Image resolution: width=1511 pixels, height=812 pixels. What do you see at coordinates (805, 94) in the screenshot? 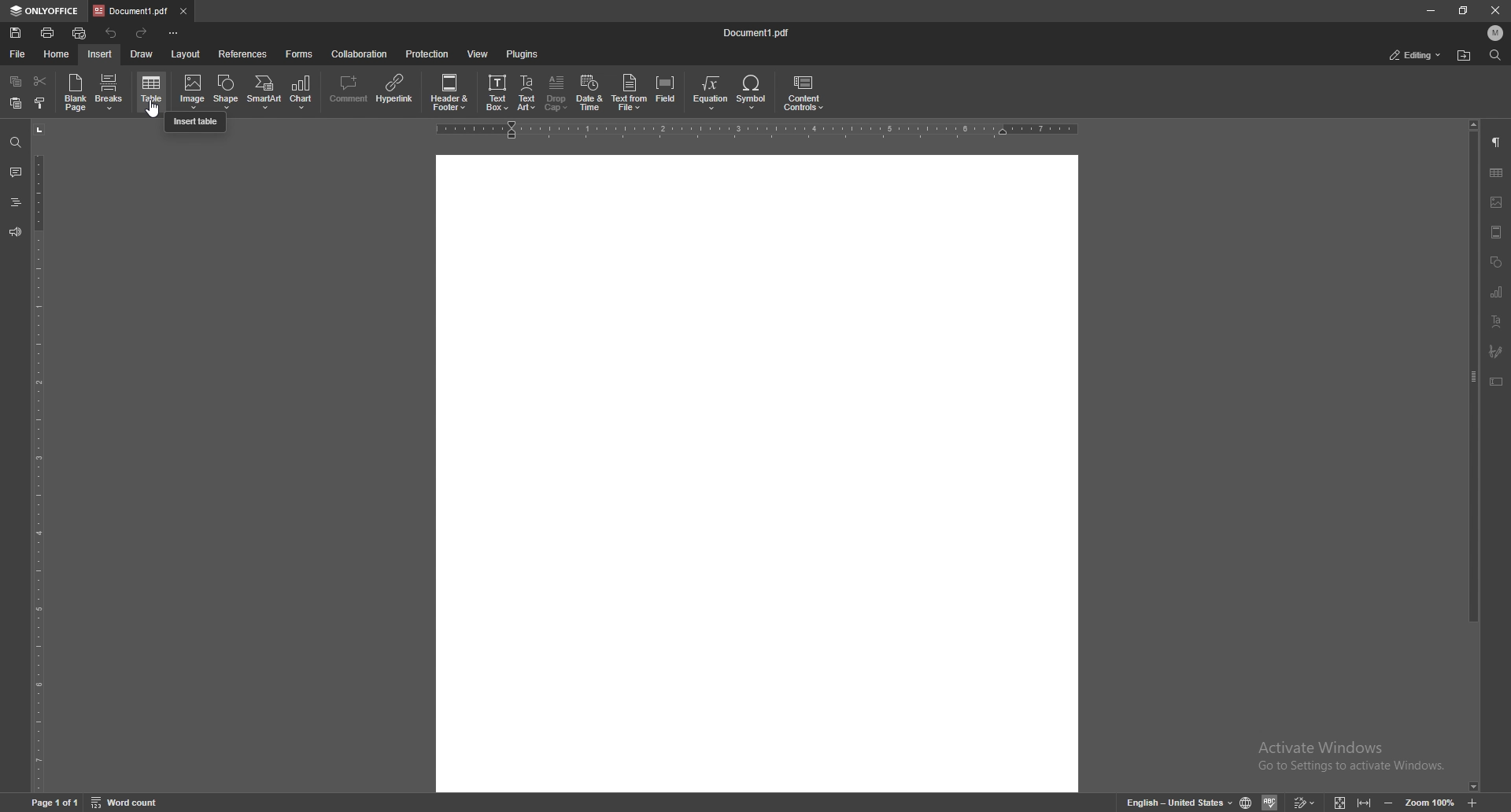
I see `content controls` at bounding box center [805, 94].